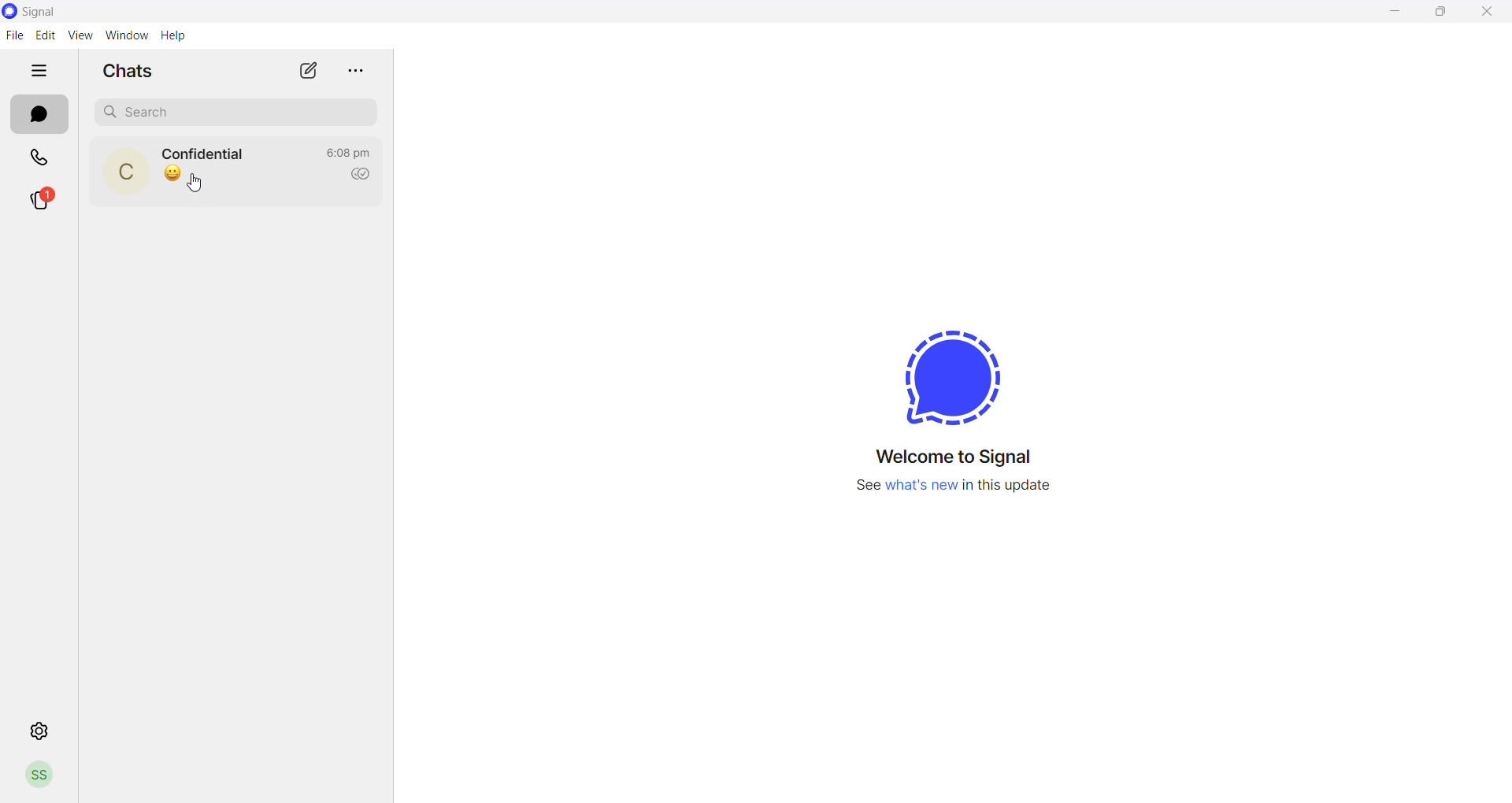 The height and width of the screenshot is (803, 1512). What do you see at coordinates (1392, 15) in the screenshot?
I see `minimize` at bounding box center [1392, 15].